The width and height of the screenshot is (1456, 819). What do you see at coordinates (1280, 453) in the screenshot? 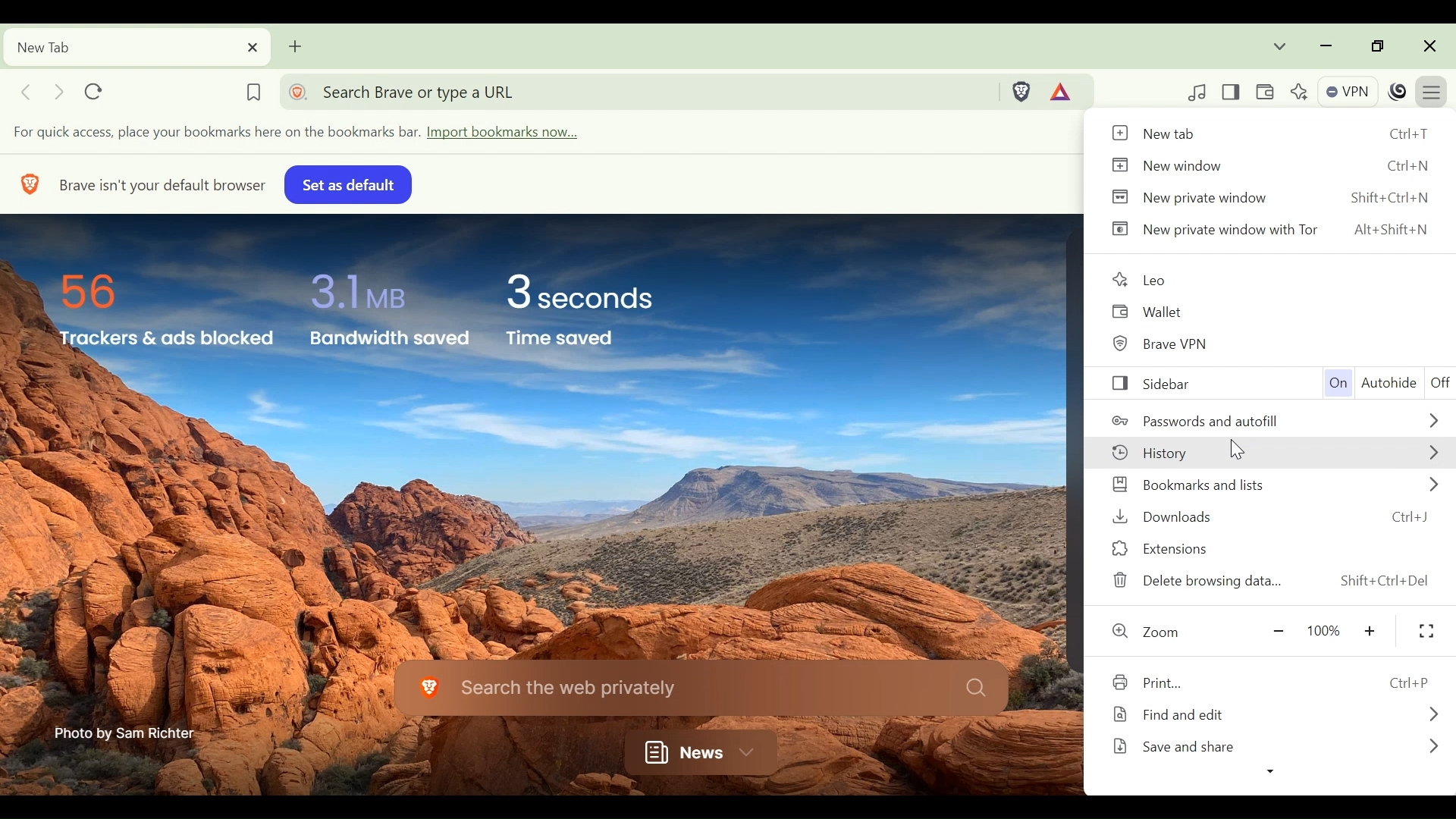
I see `History` at bounding box center [1280, 453].